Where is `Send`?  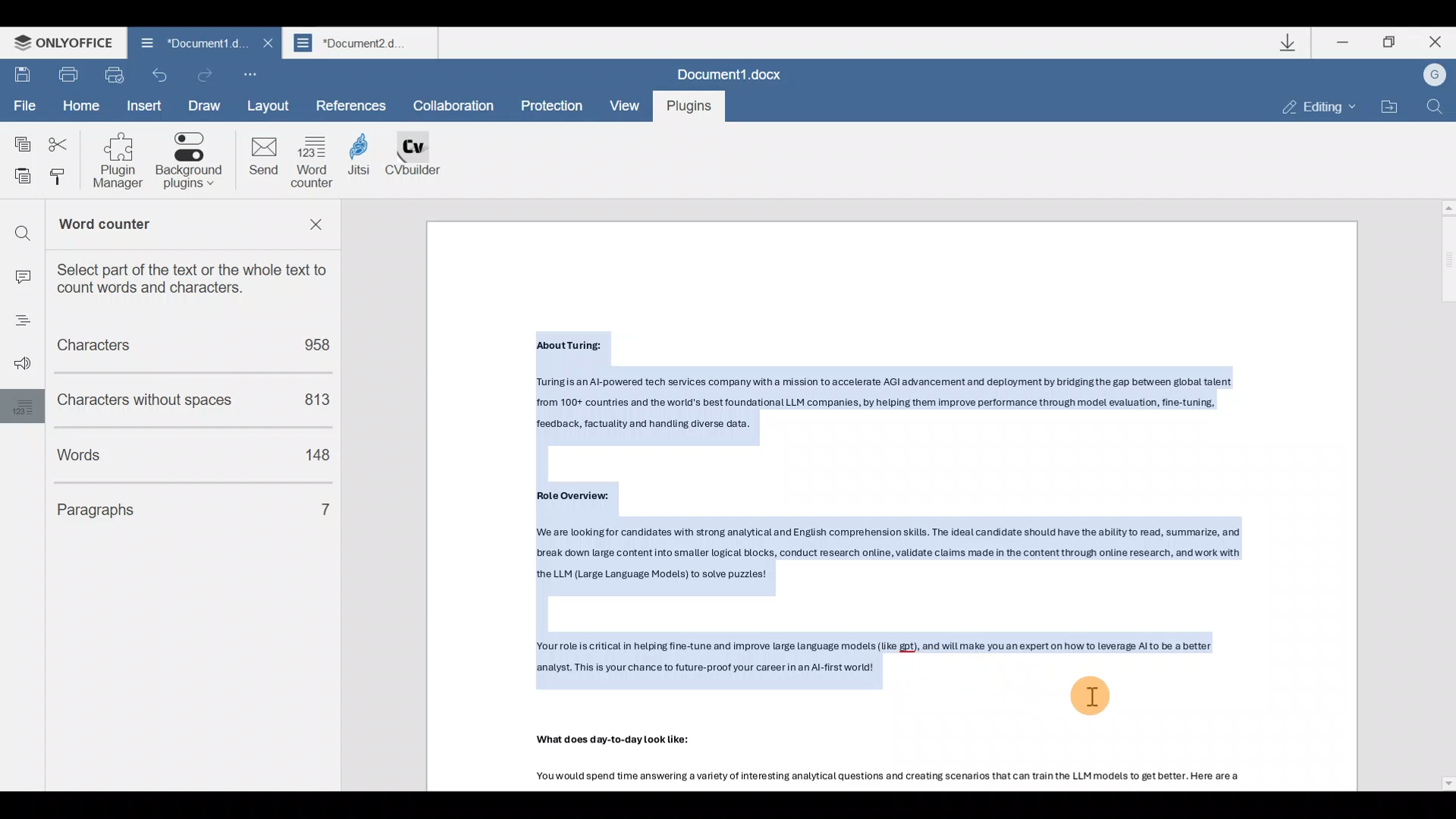 Send is located at coordinates (262, 160).